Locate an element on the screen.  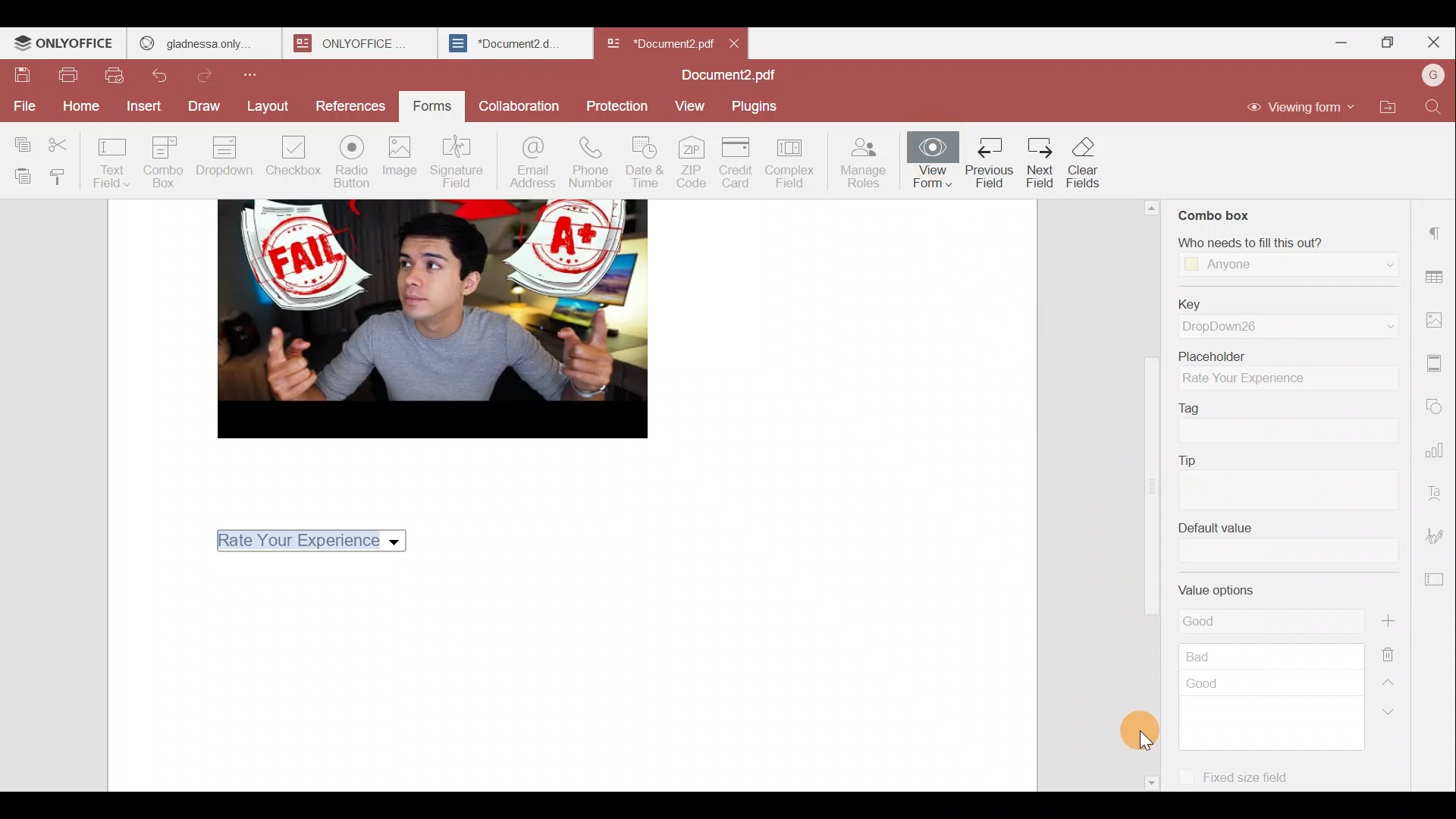
Combo box is located at coordinates (1216, 212).